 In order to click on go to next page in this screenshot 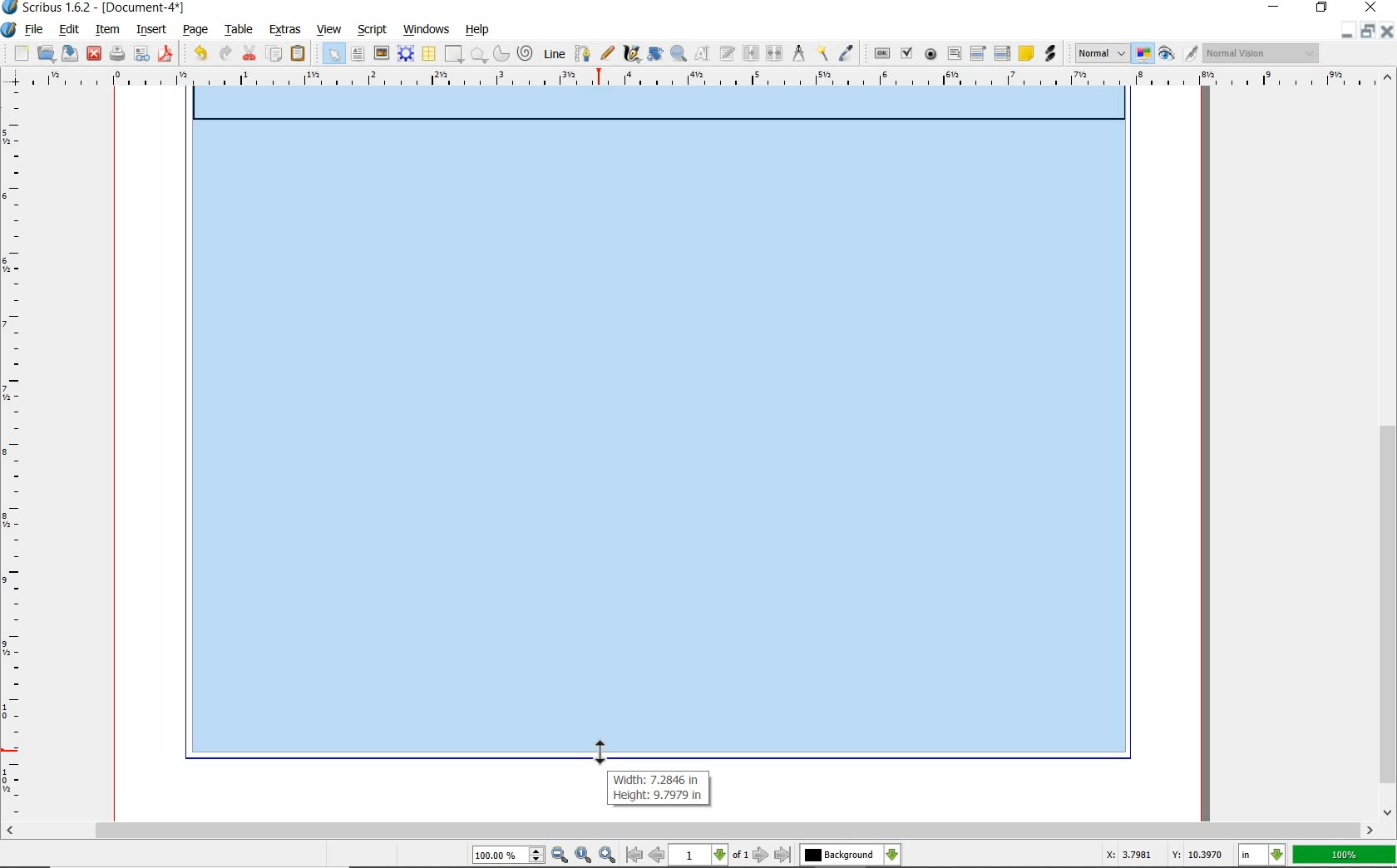, I will do `click(762, 855)`.